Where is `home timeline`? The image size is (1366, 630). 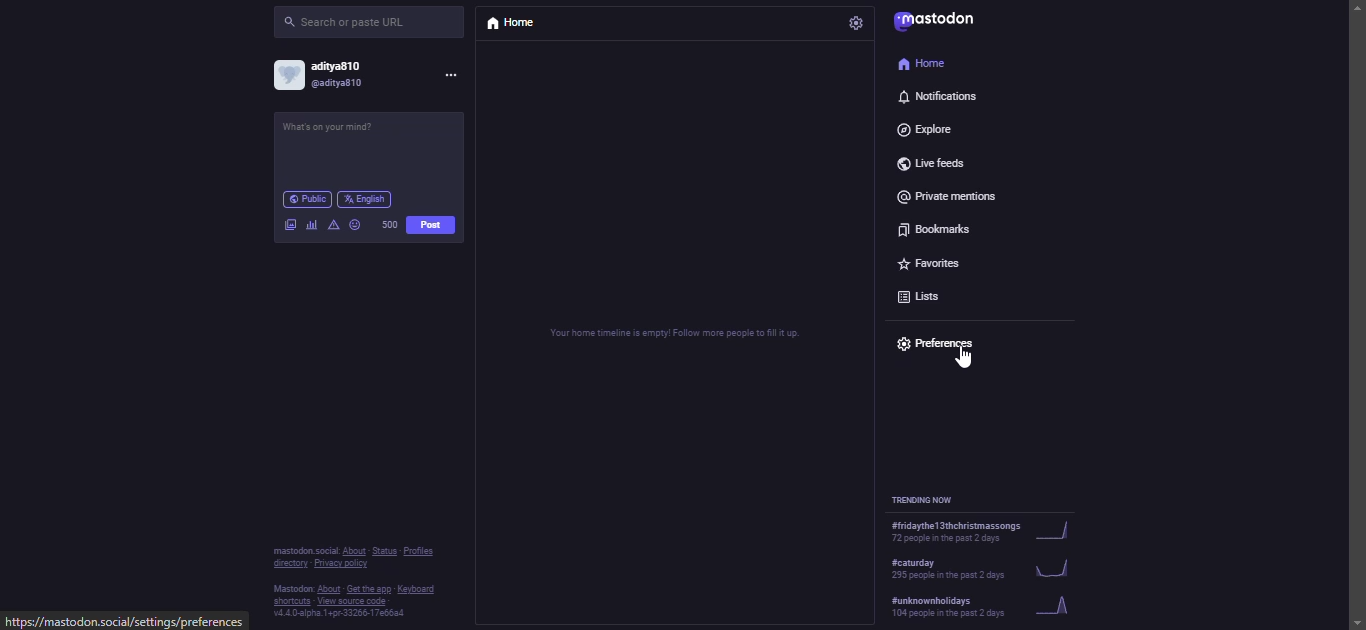 home timeline is located at coordinates (677, 331).